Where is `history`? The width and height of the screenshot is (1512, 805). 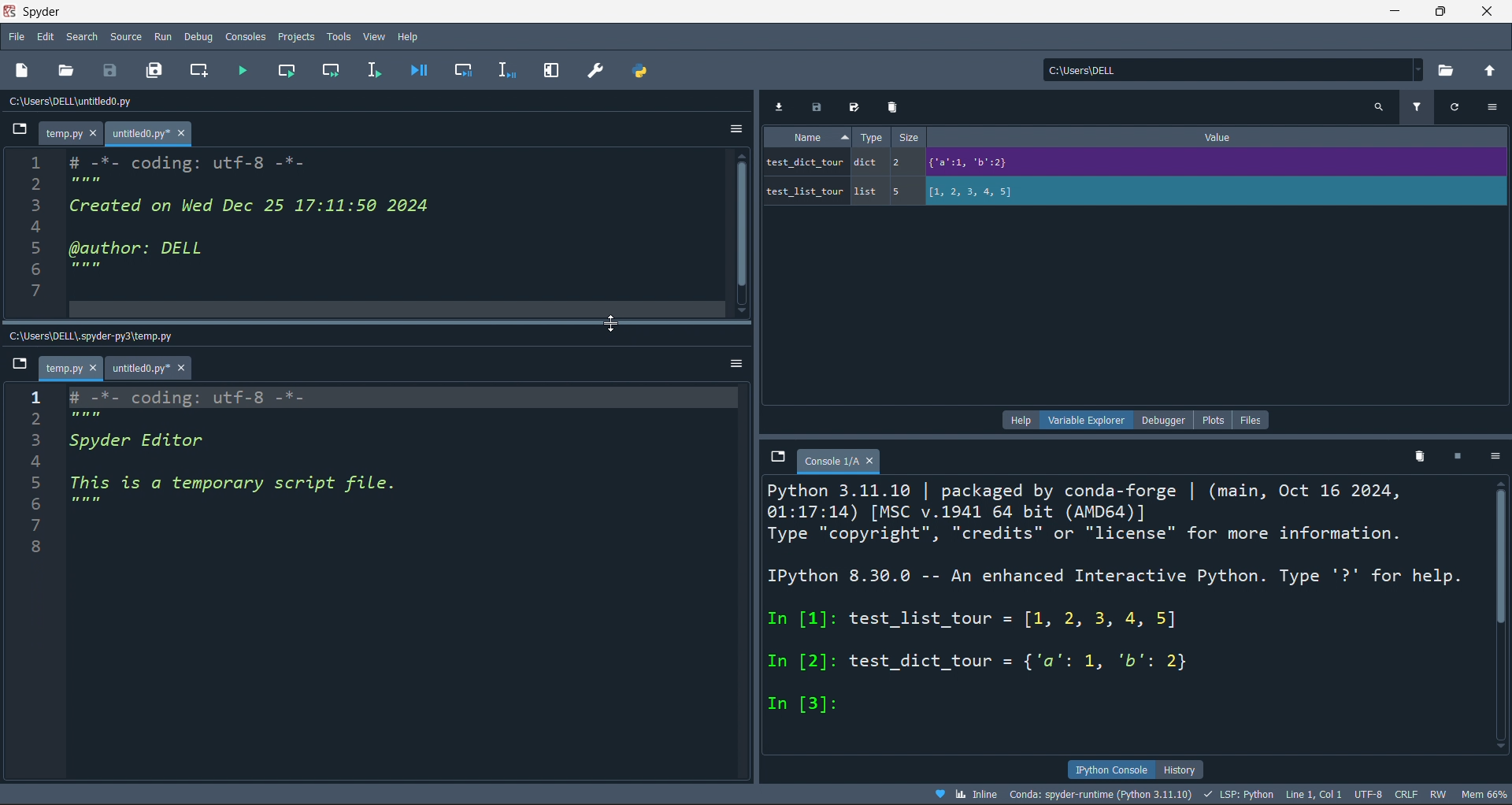
history is located at coordinates (1199, 768).